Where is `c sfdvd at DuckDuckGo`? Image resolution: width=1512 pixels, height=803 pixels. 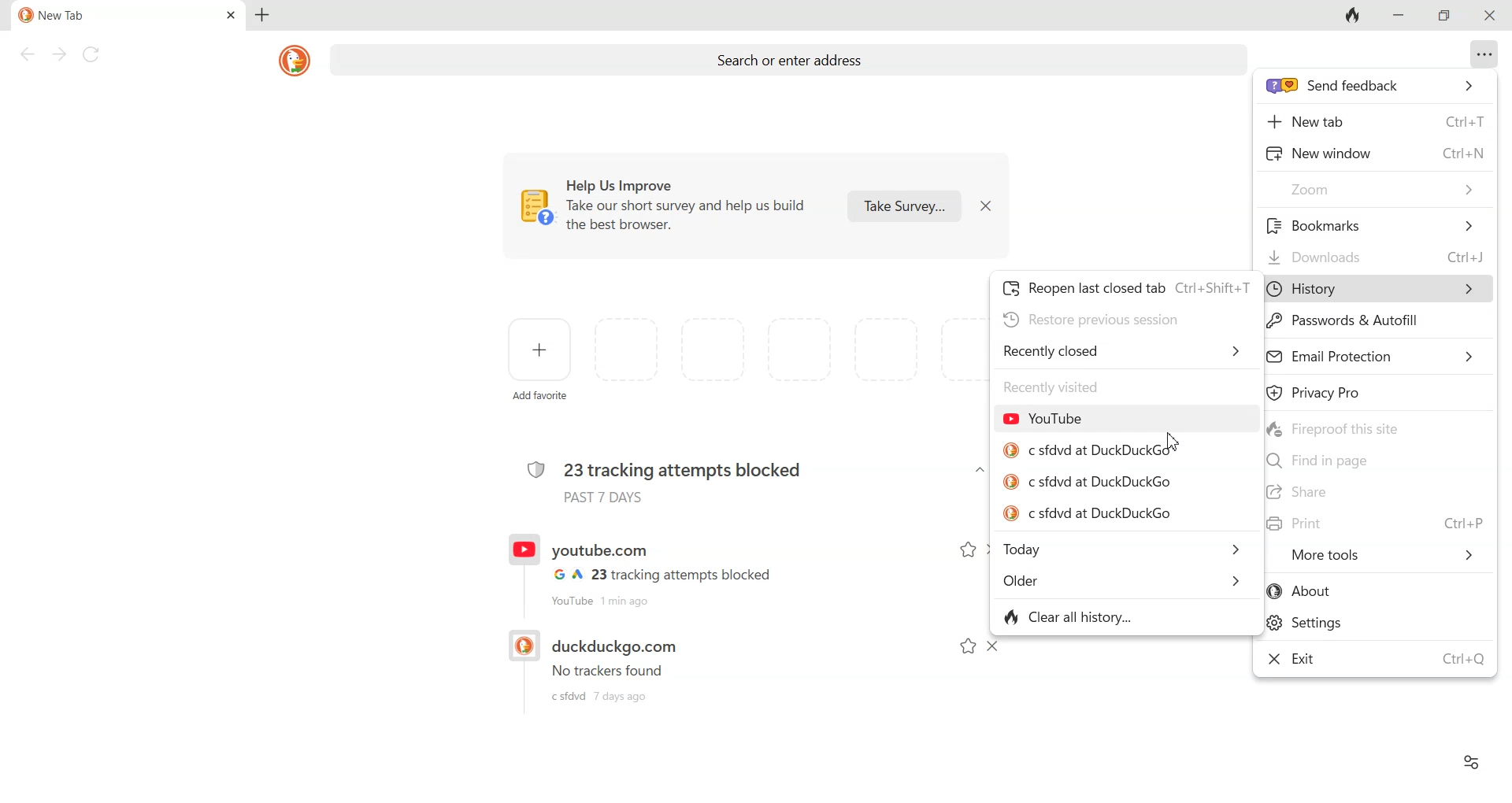 c sfdvd at DuckDuckGo is located at coordinates (1088, 513).